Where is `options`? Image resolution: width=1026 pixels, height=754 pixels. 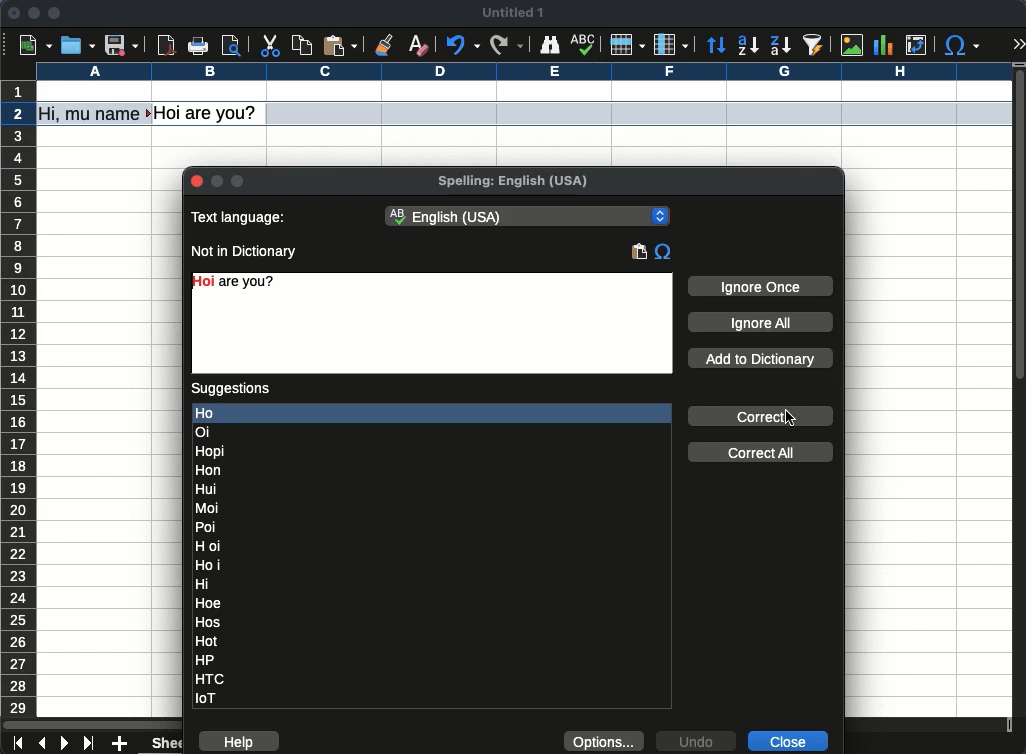 options is located at coordinates (605, 740).